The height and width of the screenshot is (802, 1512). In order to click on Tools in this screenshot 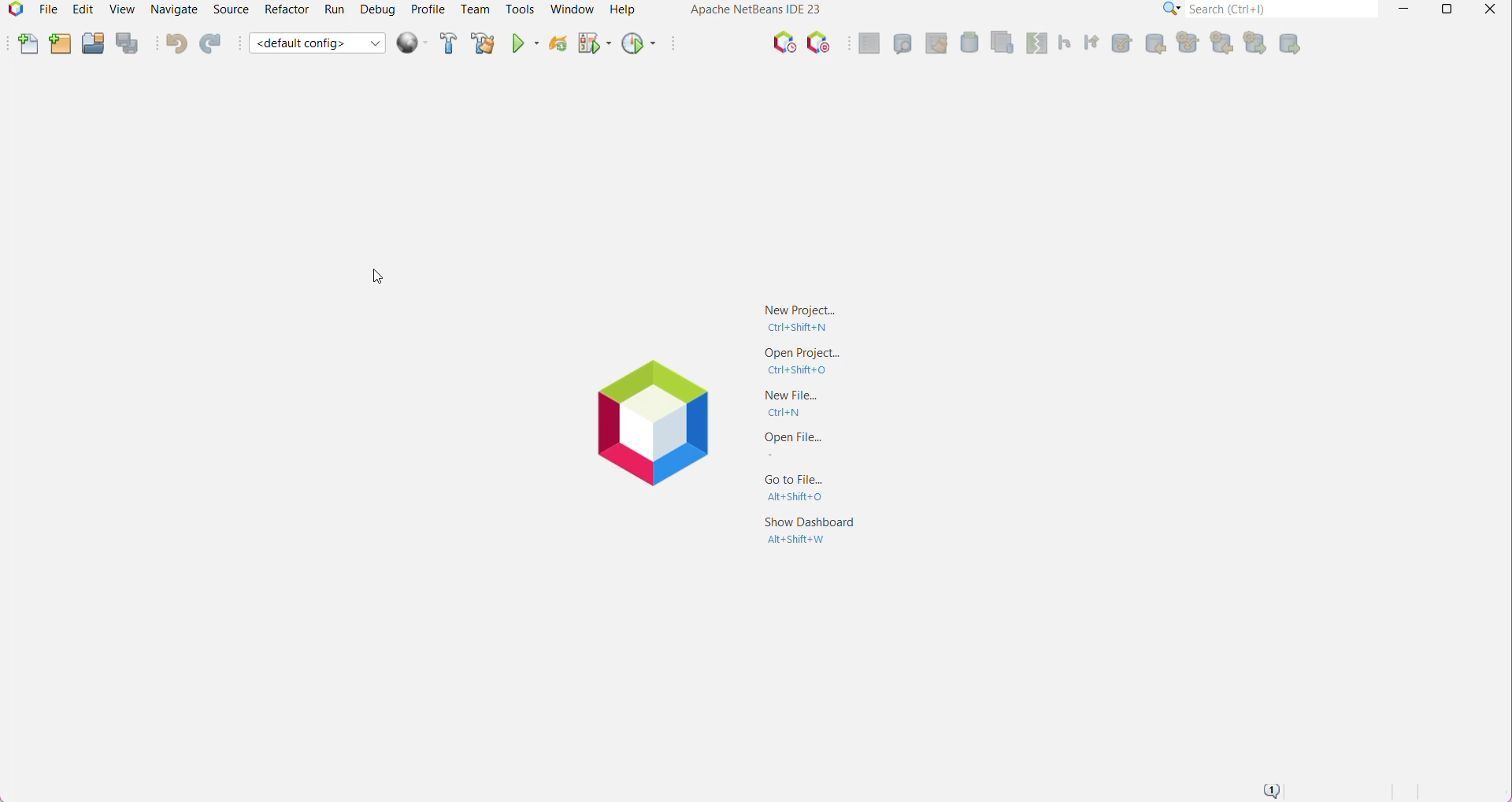, I will do `click(519, 9)`.